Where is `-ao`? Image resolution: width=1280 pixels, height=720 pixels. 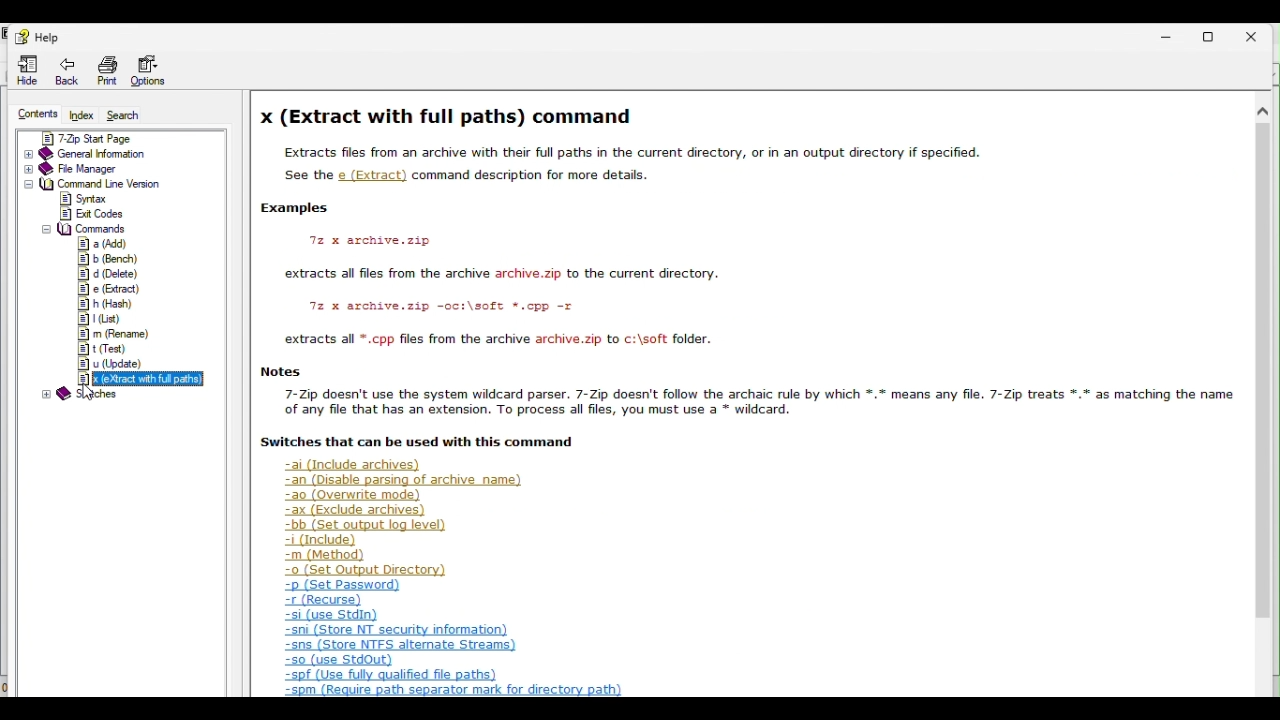 -ao is located at coordinates (361, 496).